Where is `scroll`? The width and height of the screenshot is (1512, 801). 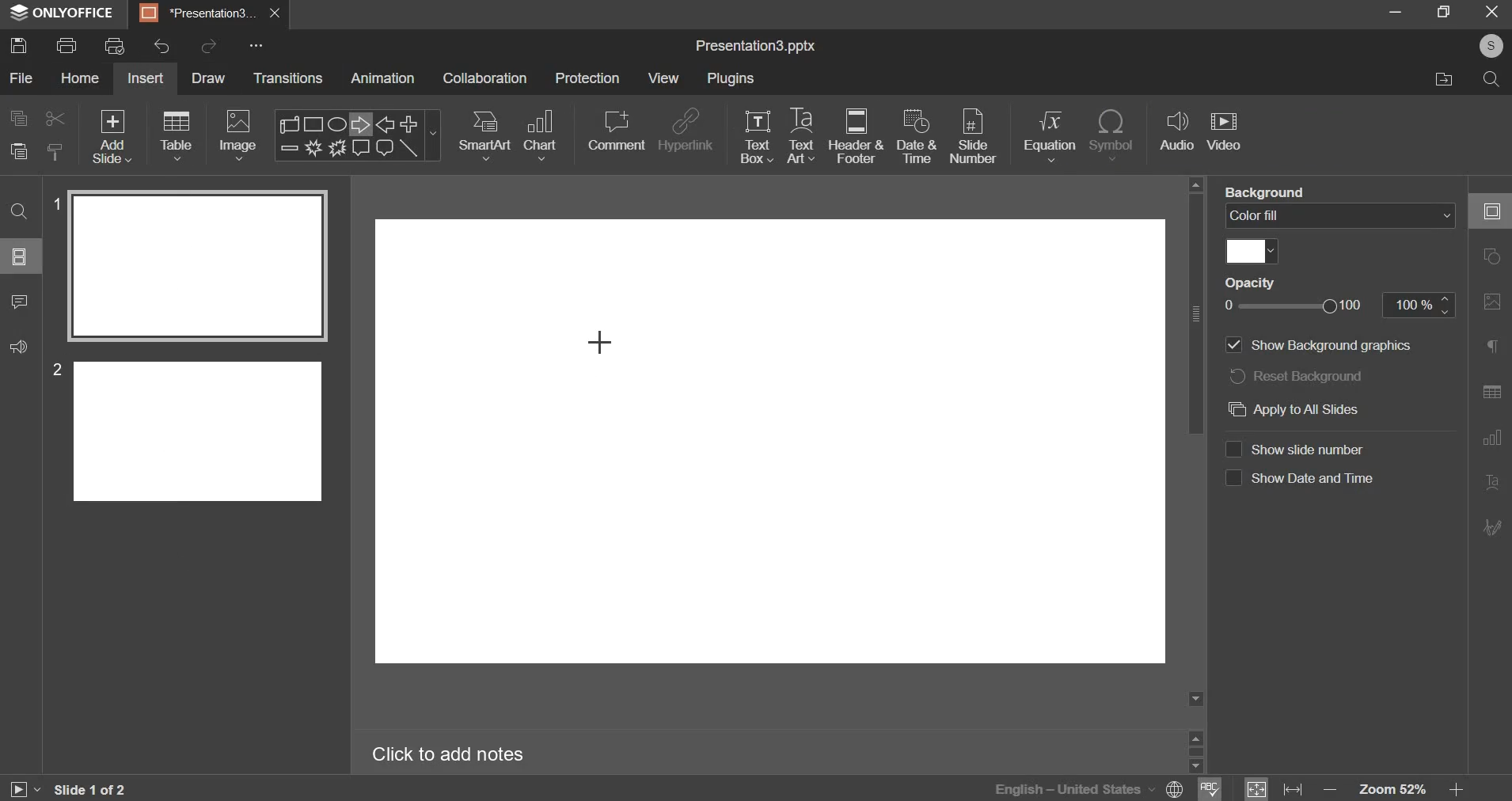 scroll is located at coordinates (291, 123).